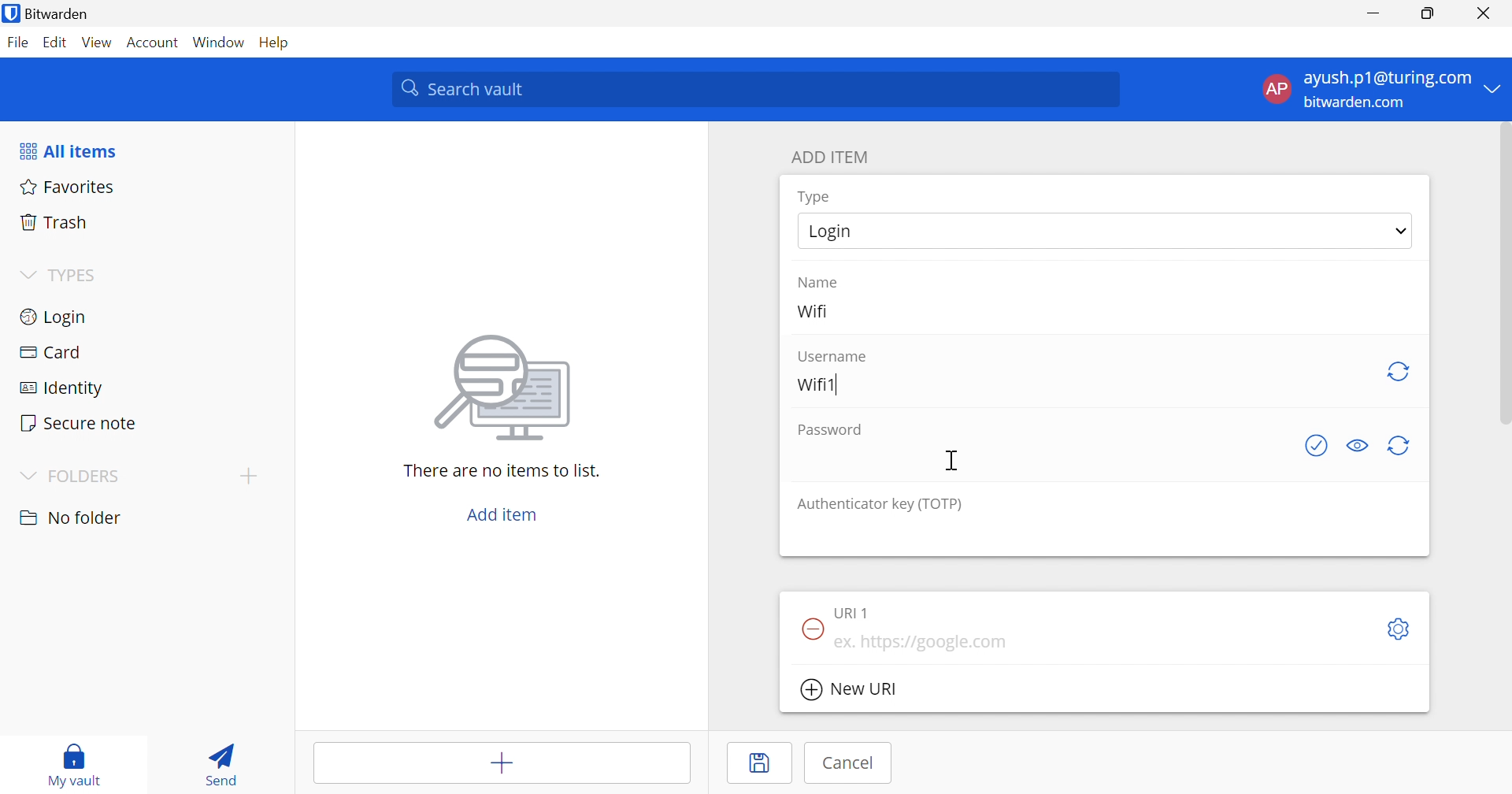 Image resolution: width=1512 pixels, height=794 pixels. I want to click on ex. https://google.com, so click(922, 643).